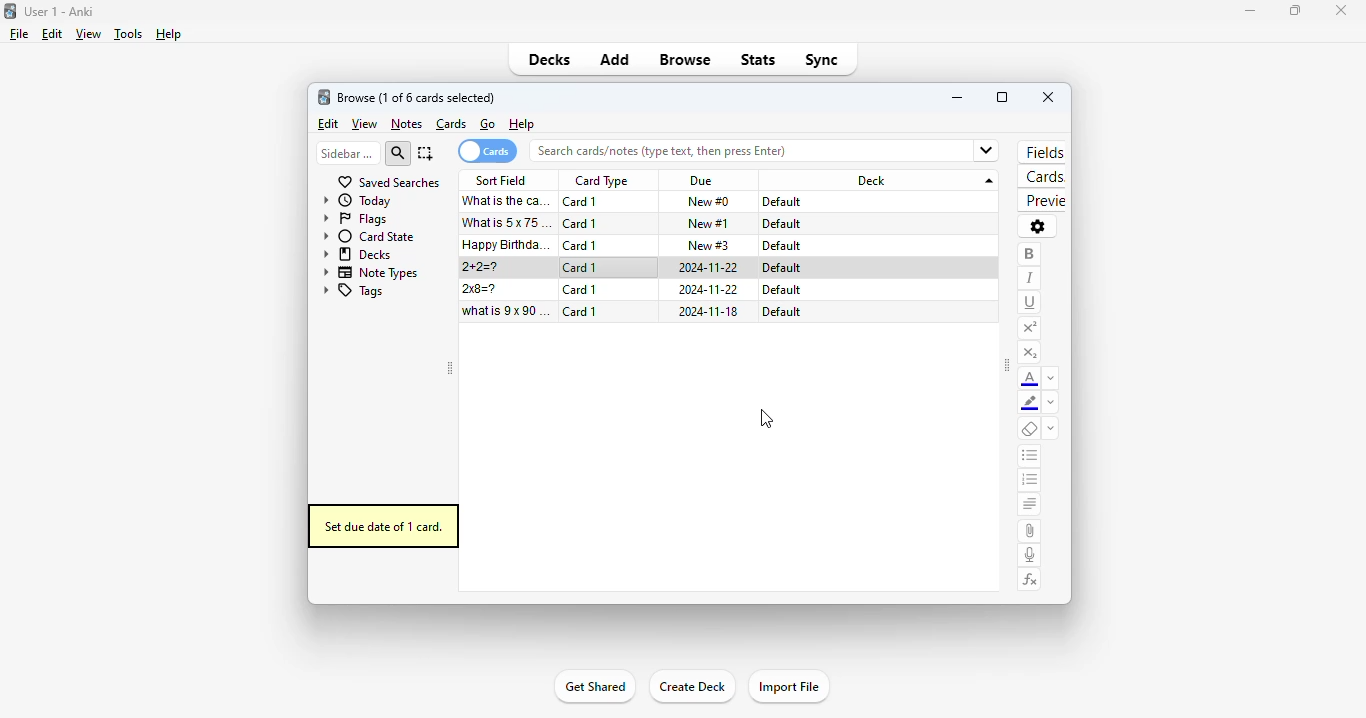 The image size is (1366, 718). Describe the element at coordinates (1002, 97) in the screenshot. I see `maximize` at that location.